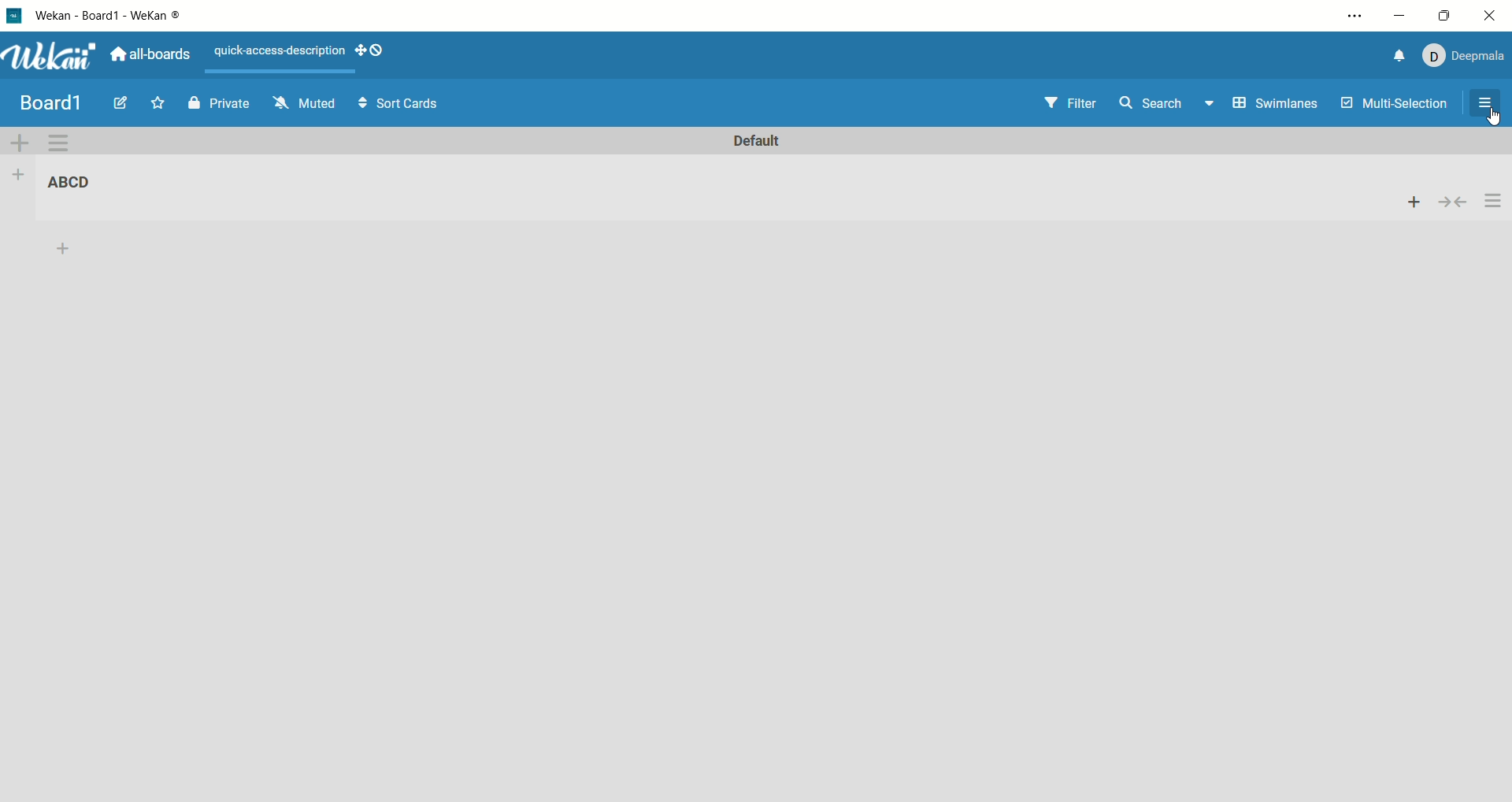 This screenshot has width=1512, height=802. I want to click on settings and options, so click(1355, 17).